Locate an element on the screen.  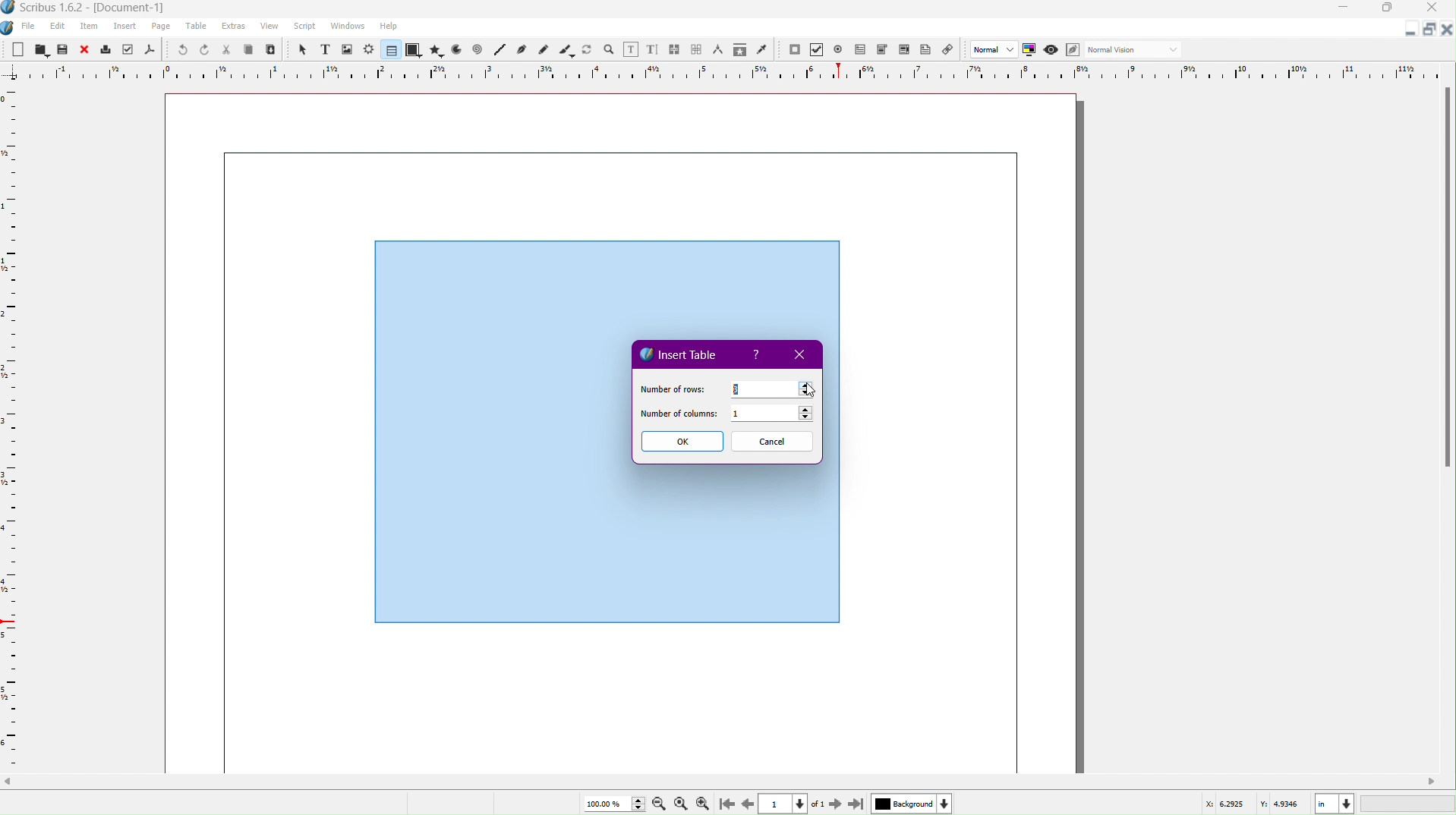
Unlink Text Frames is located at coordinates (697, 49).